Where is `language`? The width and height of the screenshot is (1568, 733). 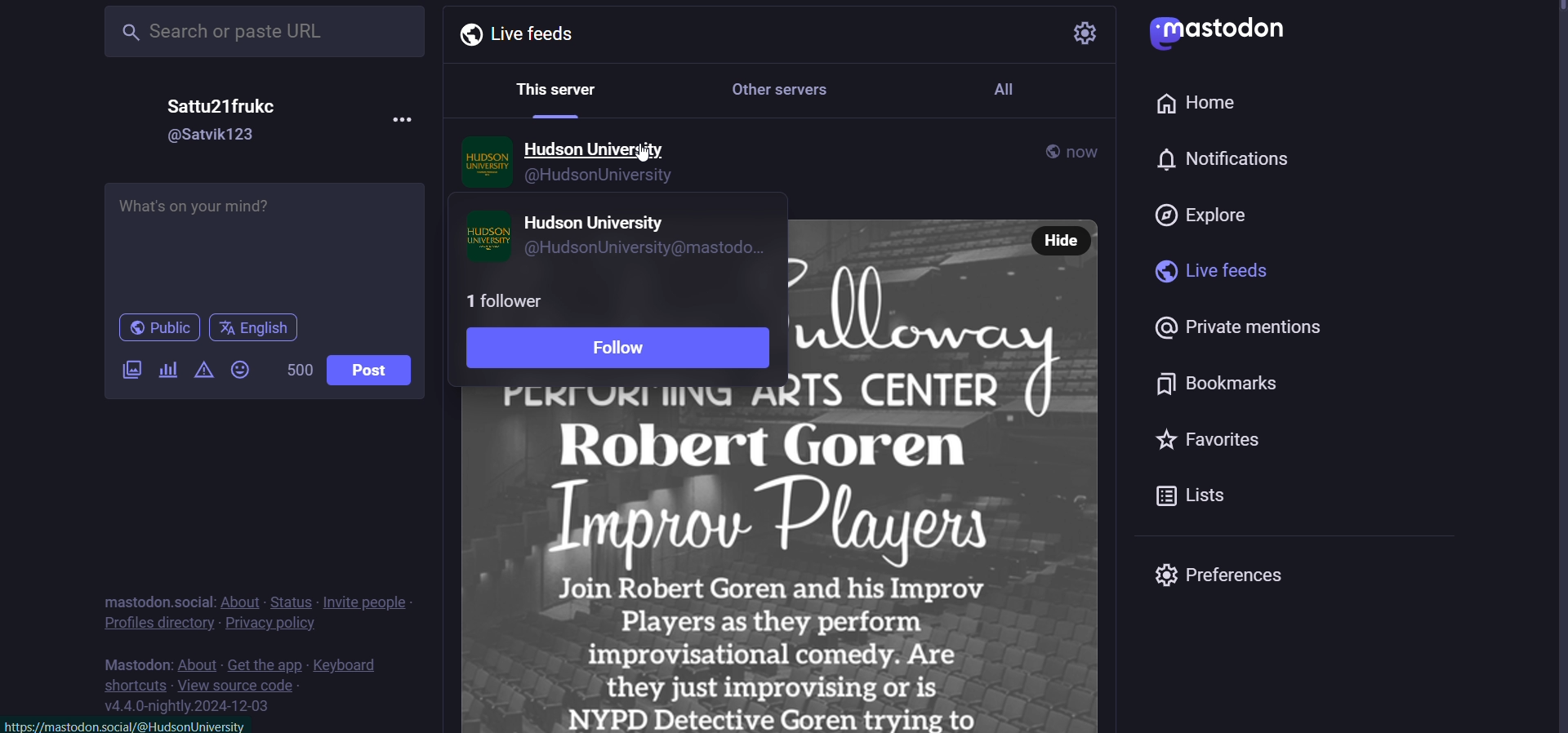
language is located at coordinates (259, 328).